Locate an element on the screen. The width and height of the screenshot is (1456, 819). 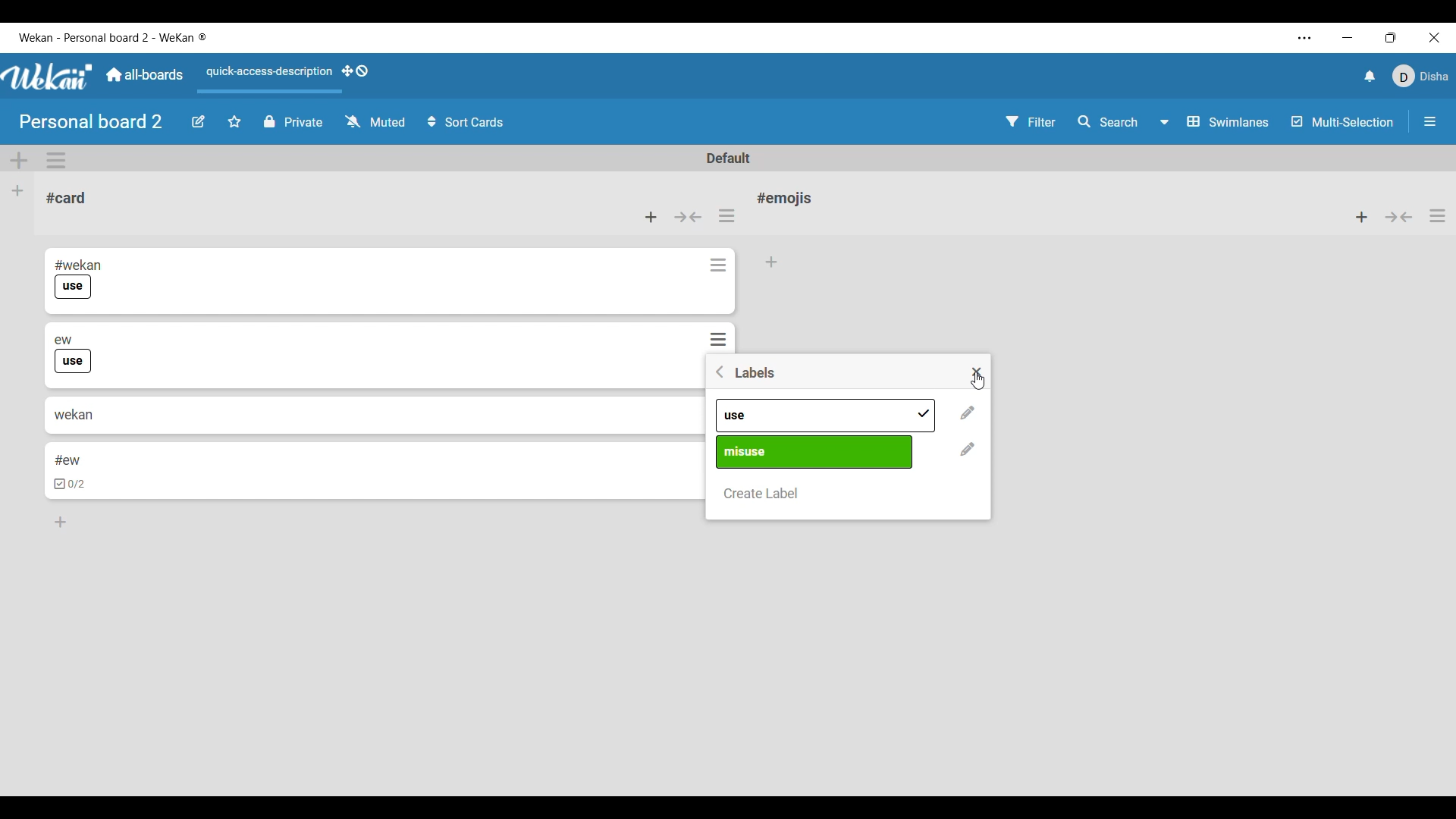
Collapse is located at coordinates (1399, 217).